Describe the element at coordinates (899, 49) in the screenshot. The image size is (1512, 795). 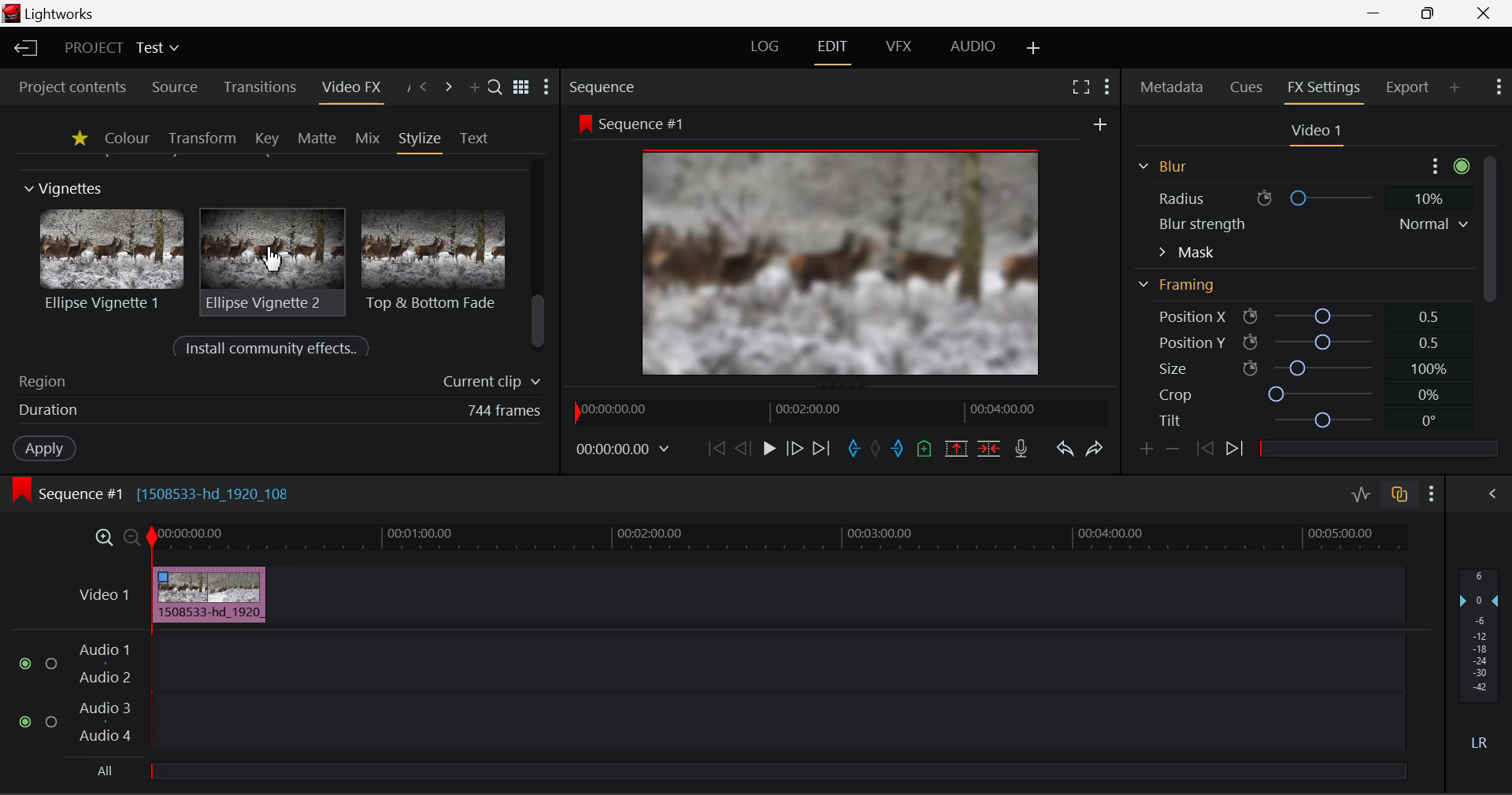
I see `VFX Layout` at that location.